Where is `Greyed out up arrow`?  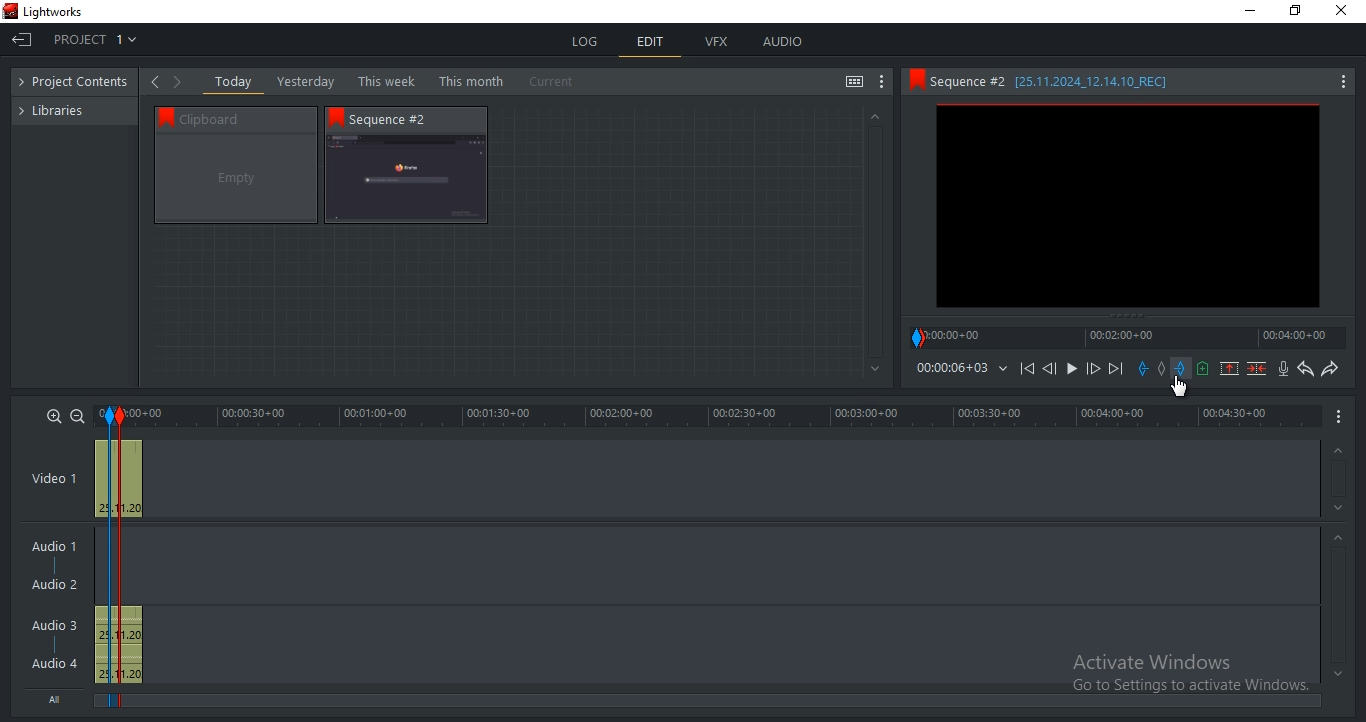 Greyed out up arrow is located at coordinates (1341, 540).